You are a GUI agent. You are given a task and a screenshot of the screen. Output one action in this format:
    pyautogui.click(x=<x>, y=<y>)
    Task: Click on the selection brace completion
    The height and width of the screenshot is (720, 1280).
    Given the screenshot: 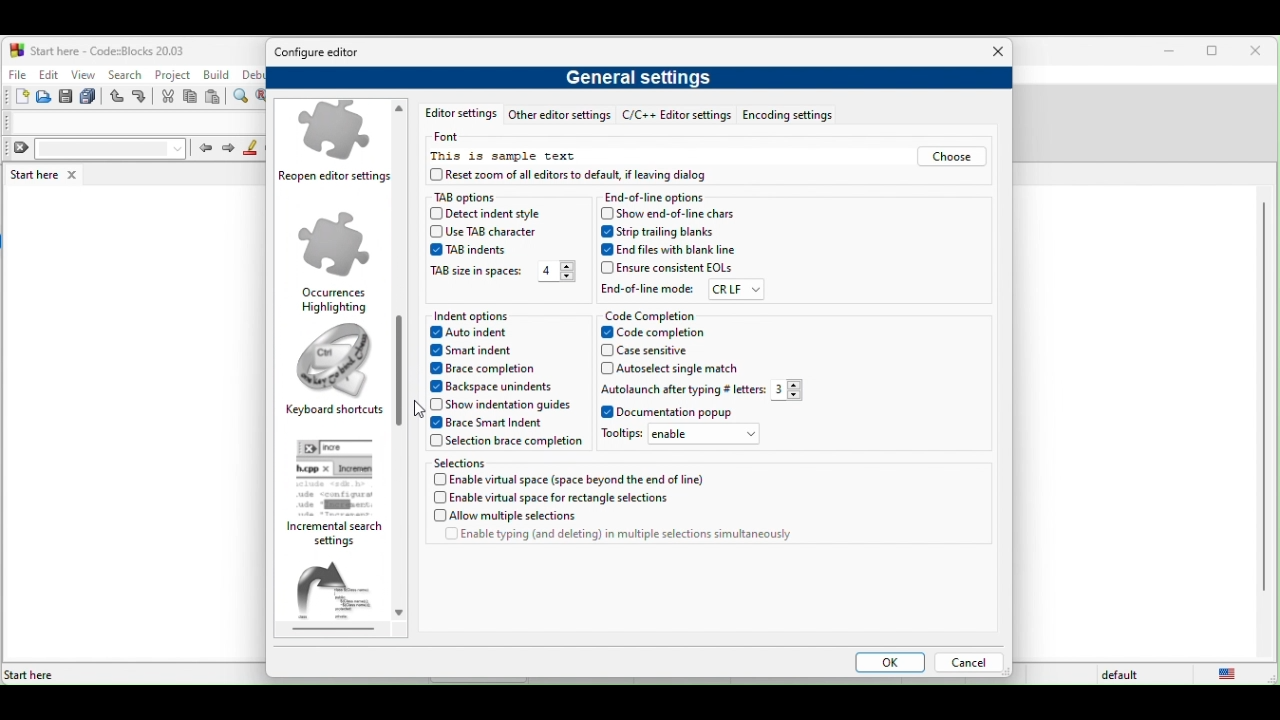 What is the action you would take?
    pyautogui.click(x=506, y=443)
    